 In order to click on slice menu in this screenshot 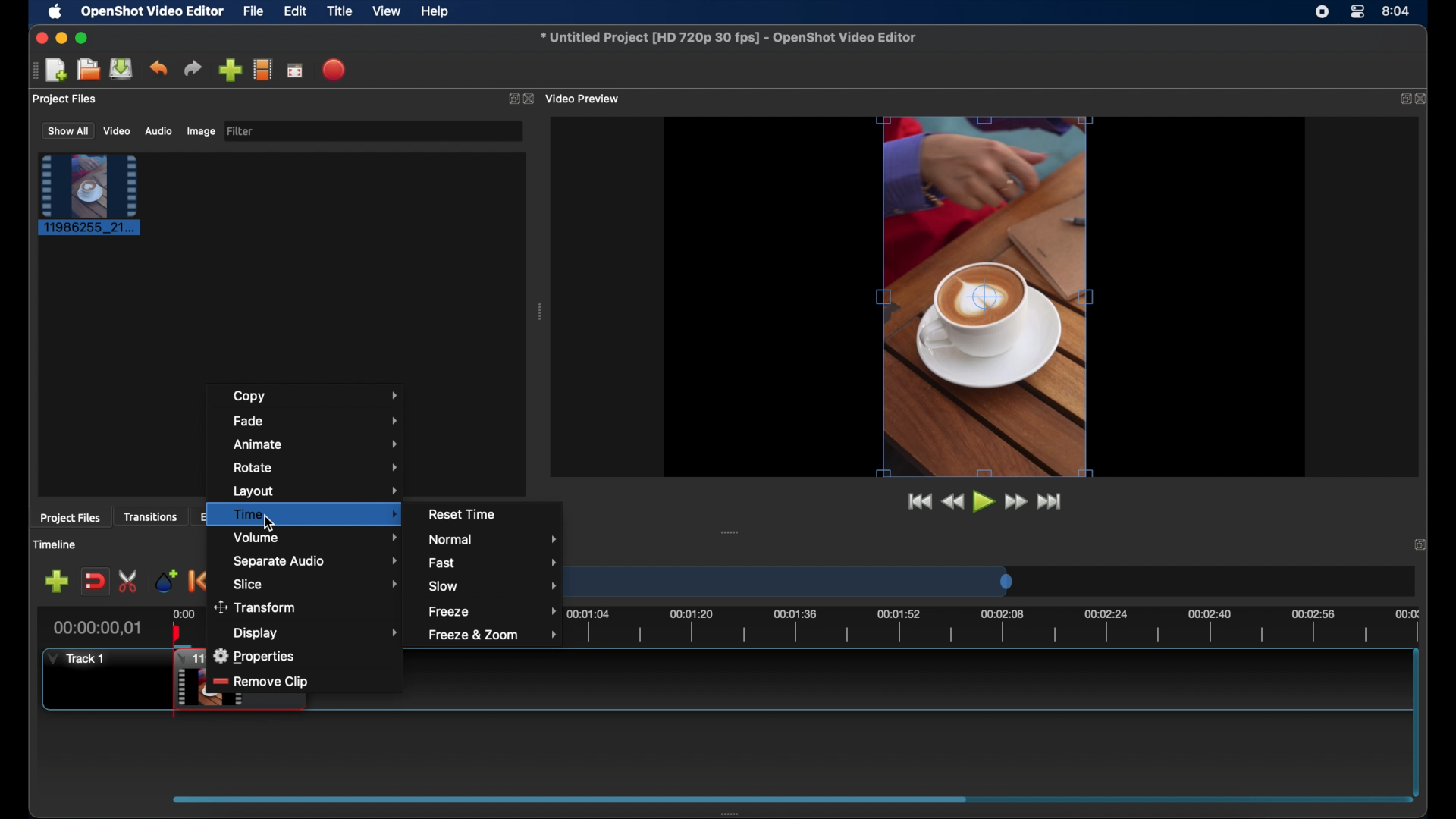, I will do `click(317, 584)`.